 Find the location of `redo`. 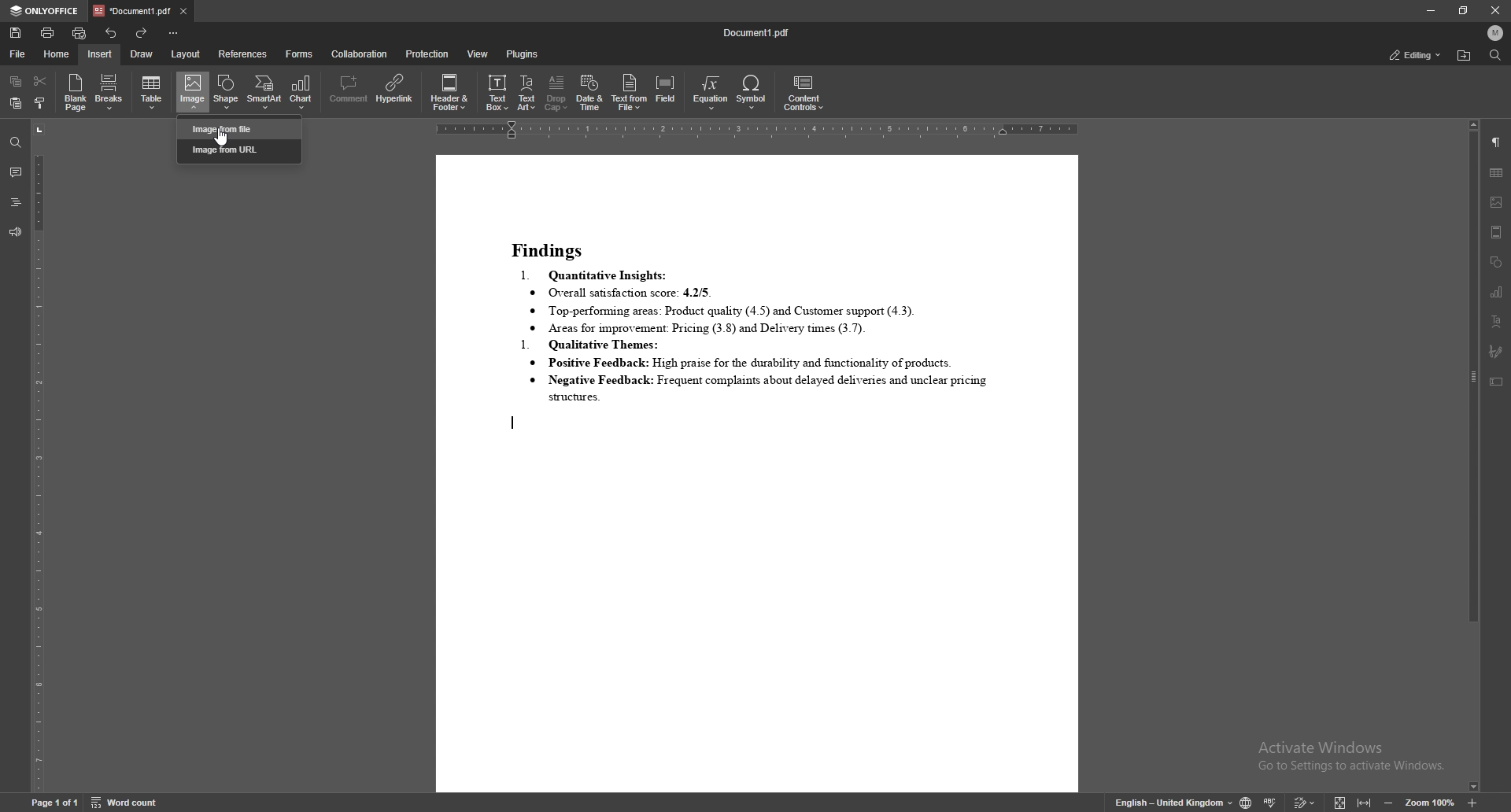

redo is located at coordinates (143, 32).